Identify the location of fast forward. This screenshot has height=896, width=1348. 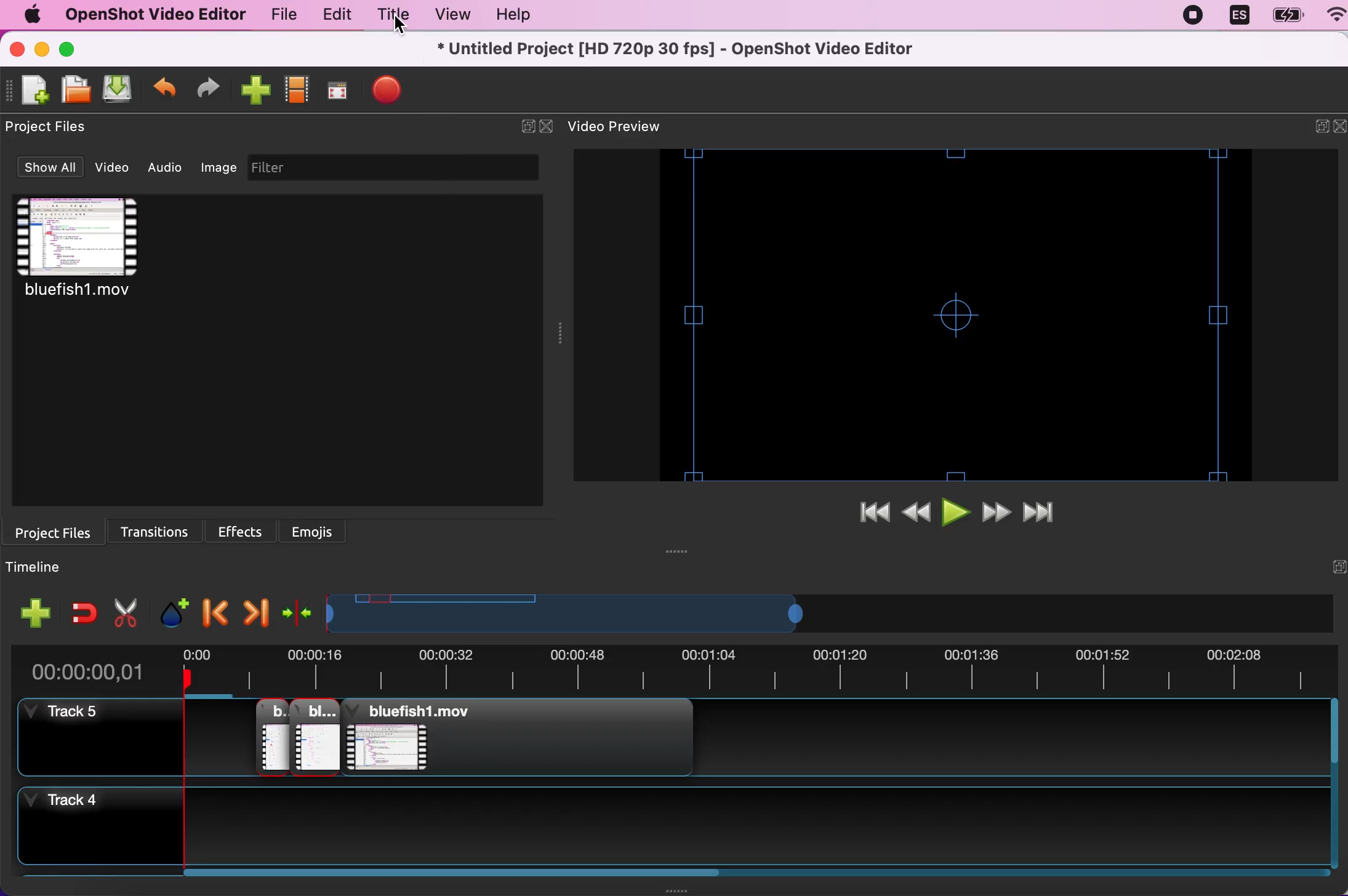
(998, 514).